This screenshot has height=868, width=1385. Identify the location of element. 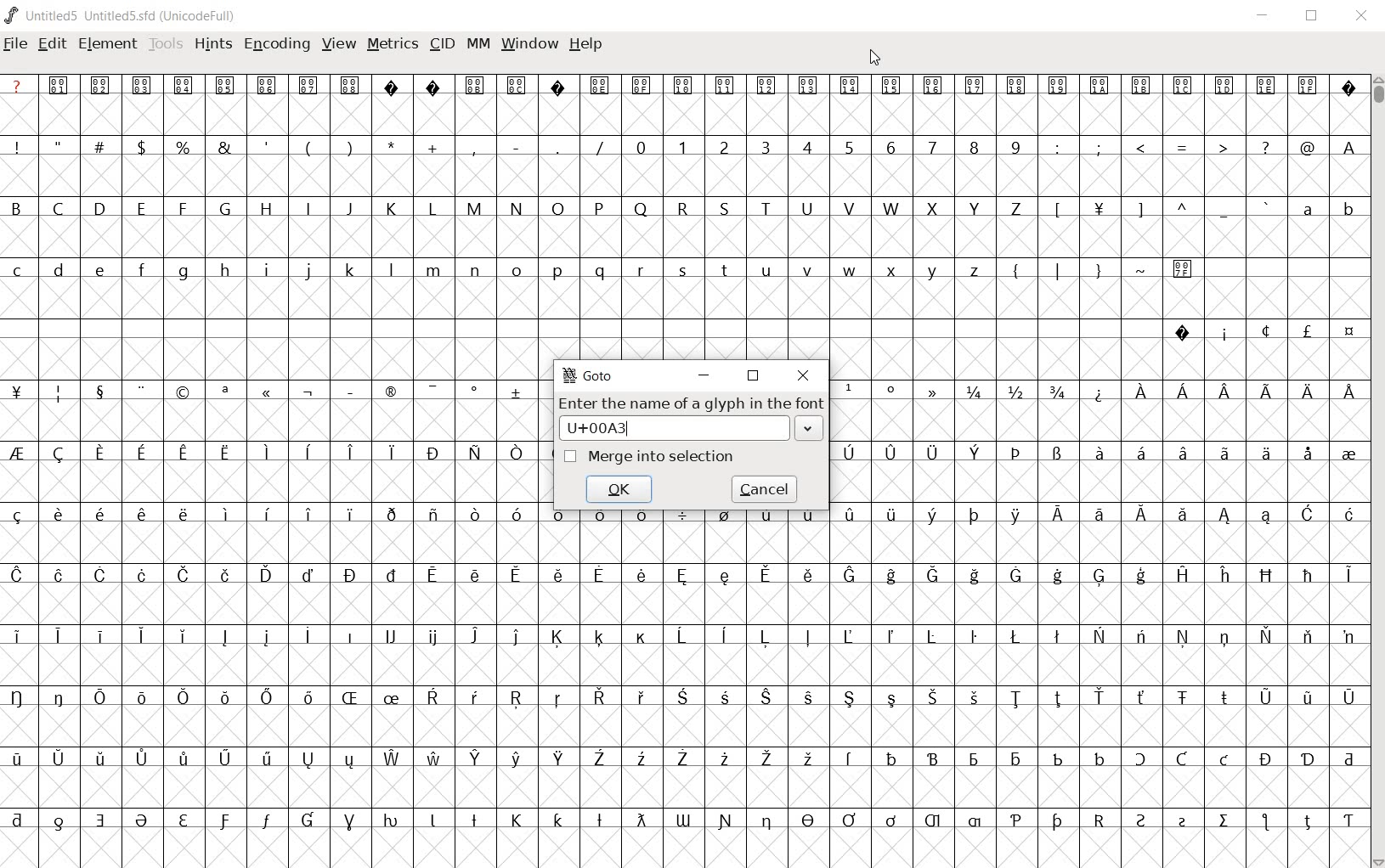
(109, 44).